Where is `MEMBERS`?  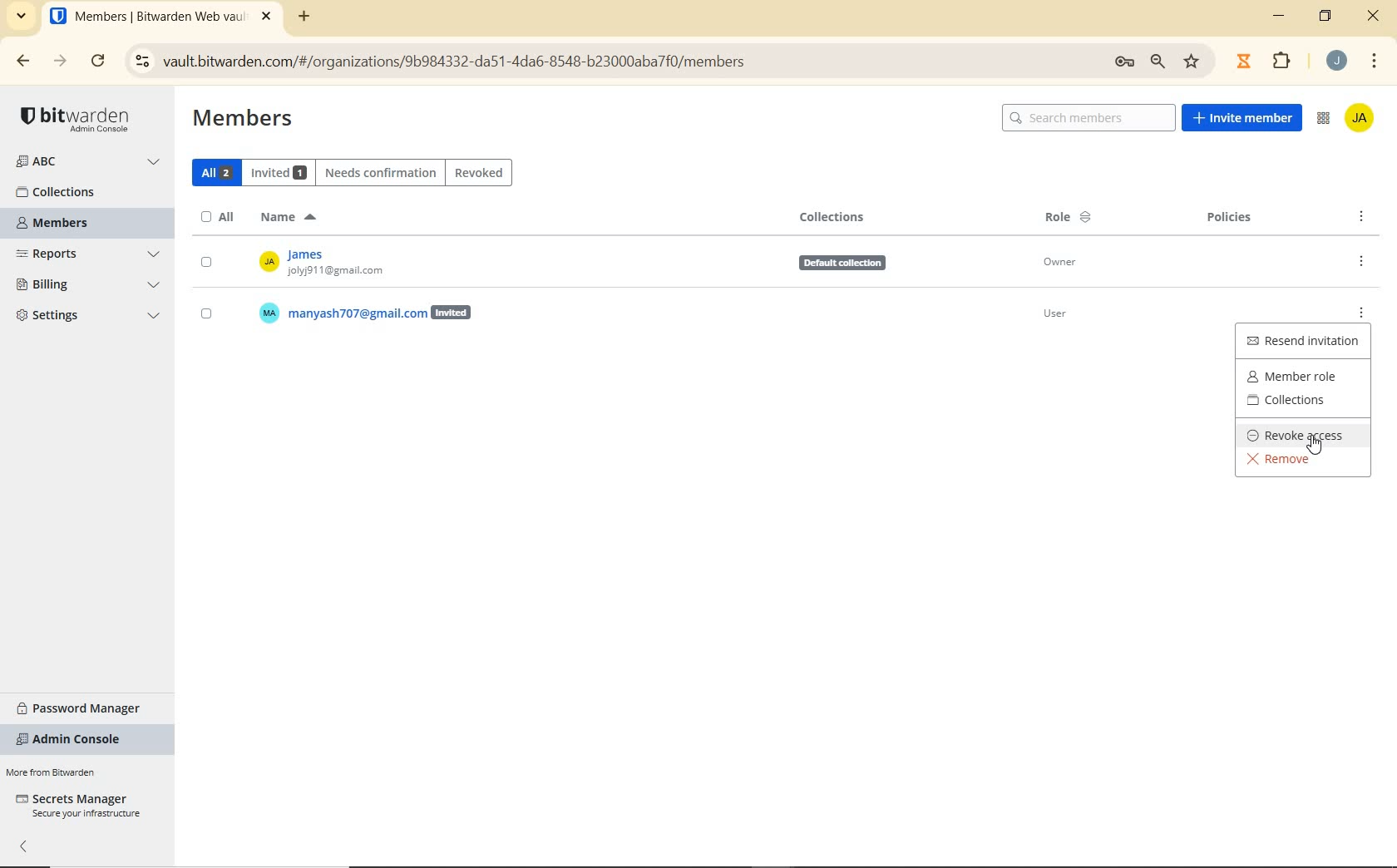
MEMBERS is located at coordinates (67, 224).